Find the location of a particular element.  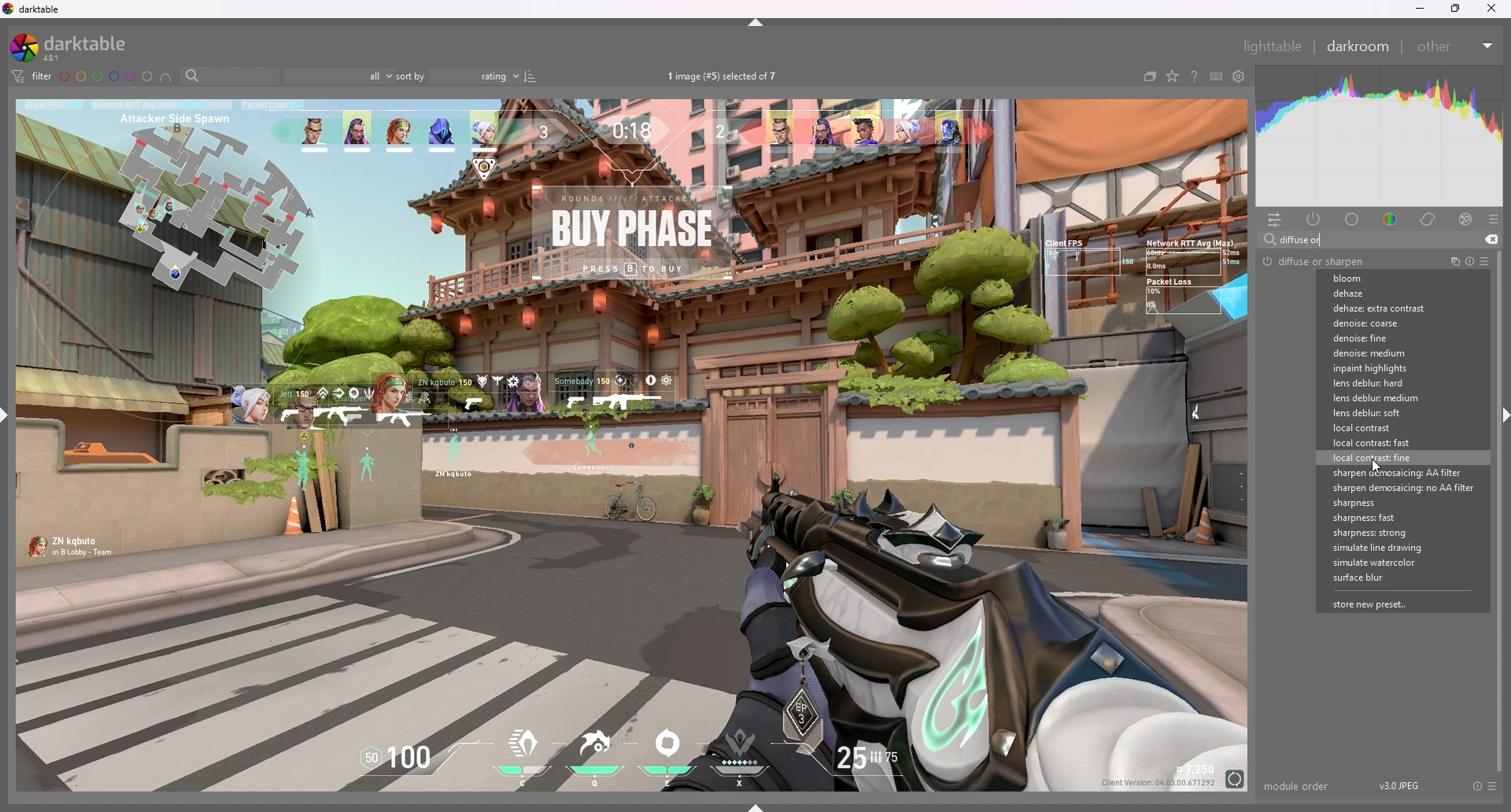

correct is located at coordinates (1429, 219).